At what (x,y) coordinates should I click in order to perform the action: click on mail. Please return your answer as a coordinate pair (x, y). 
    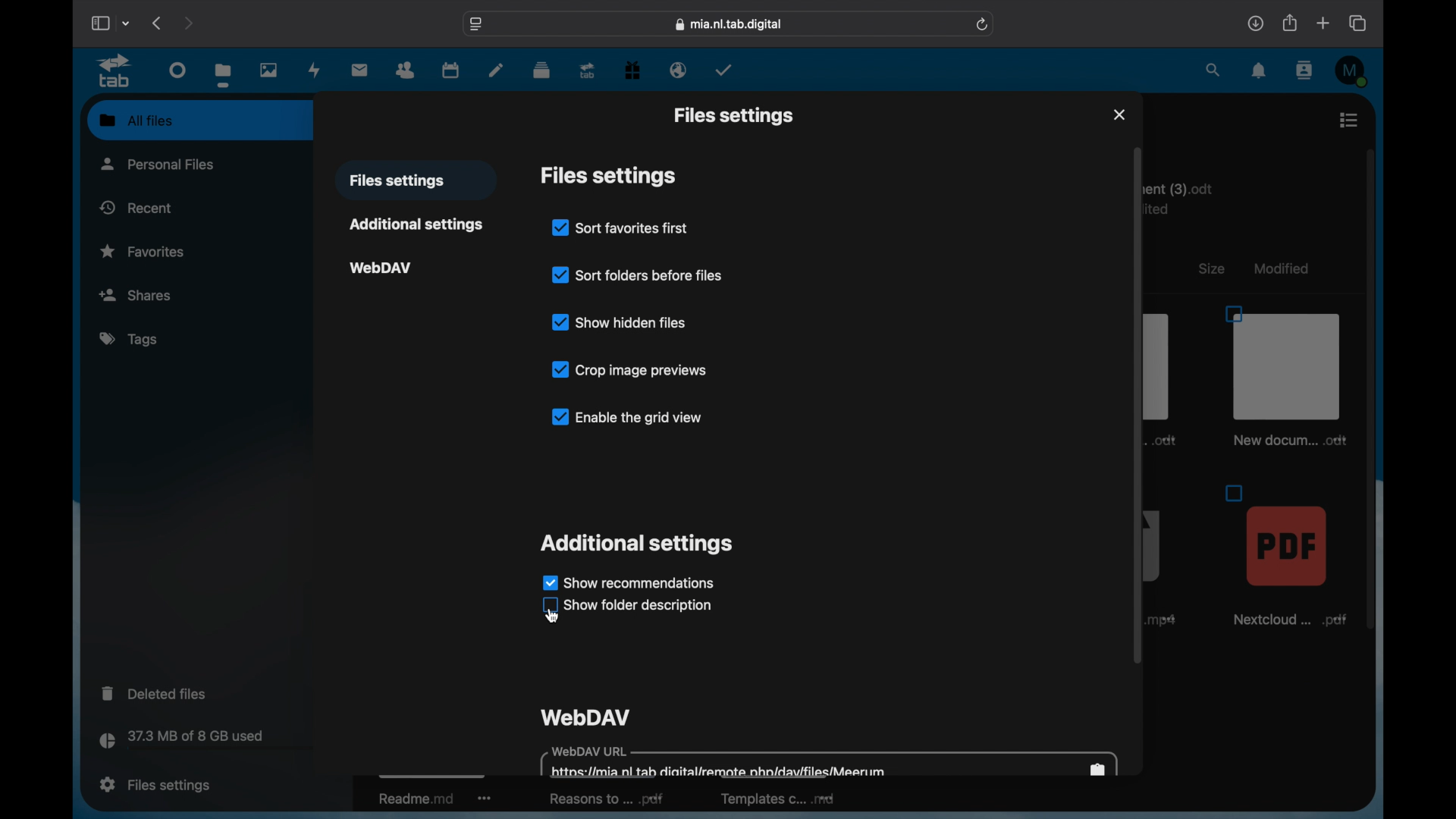
    Looking at the image, I should click on (359, 69).